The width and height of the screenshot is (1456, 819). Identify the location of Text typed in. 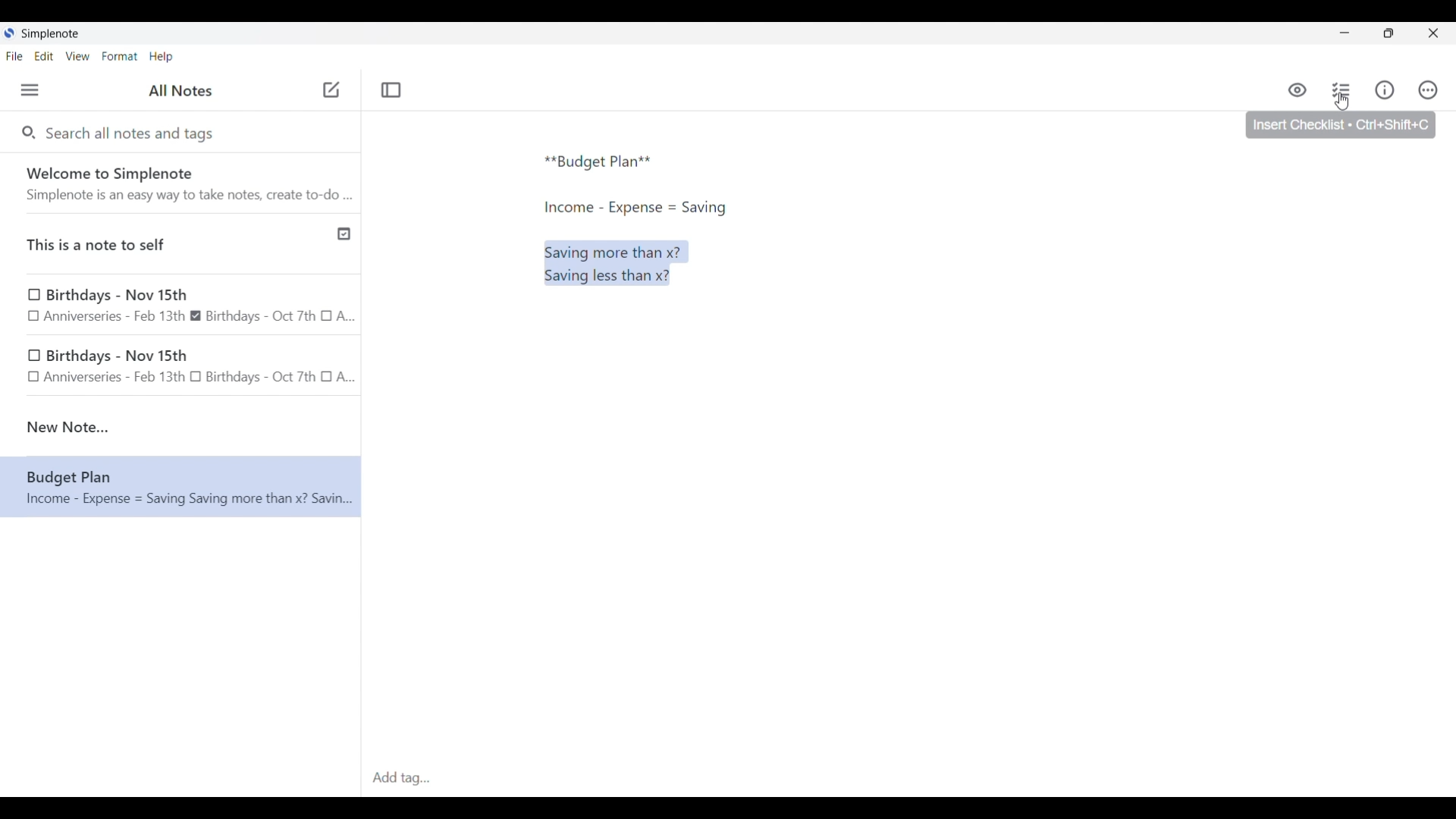
(598, 162).